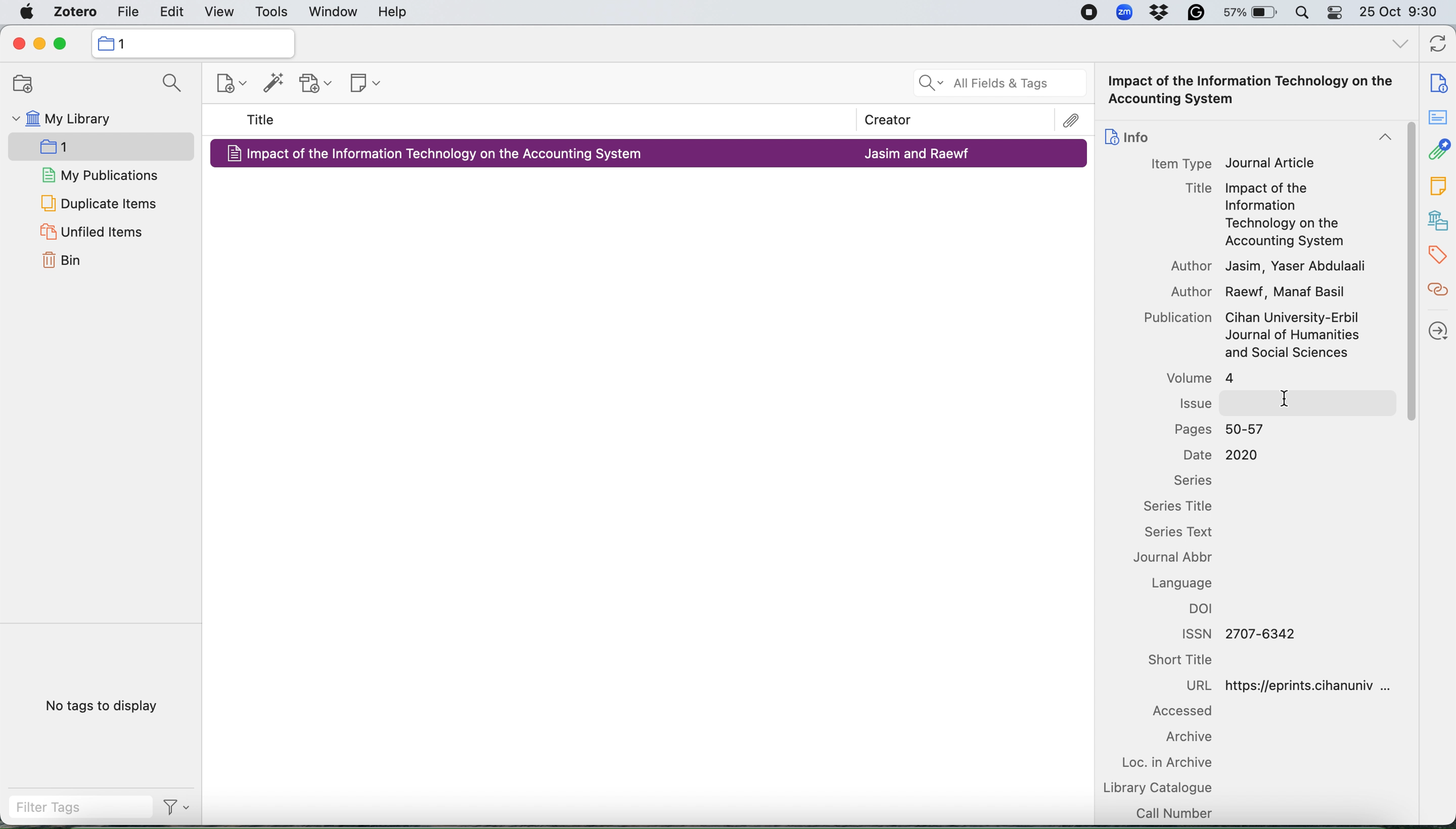 The image size is (1456, 829). I want to click on Raewt, Manat Basil, so click(1287, 294).